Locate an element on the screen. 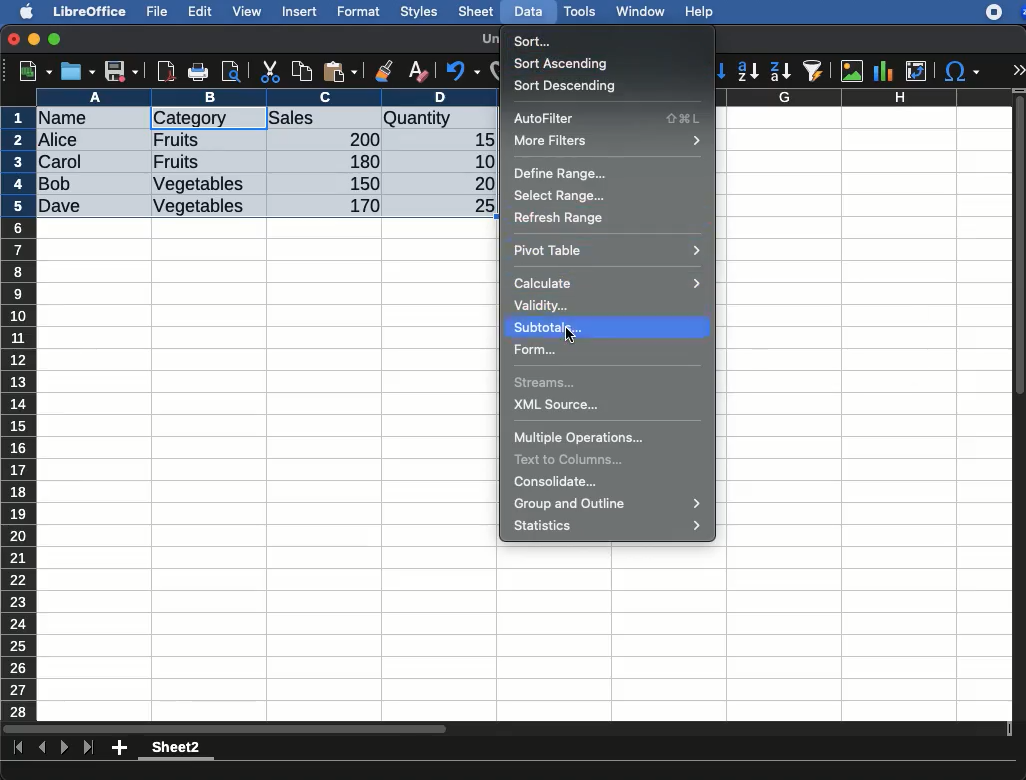 This screenshot has height=780, width=1026. define range is located at coordinates (562, 174).